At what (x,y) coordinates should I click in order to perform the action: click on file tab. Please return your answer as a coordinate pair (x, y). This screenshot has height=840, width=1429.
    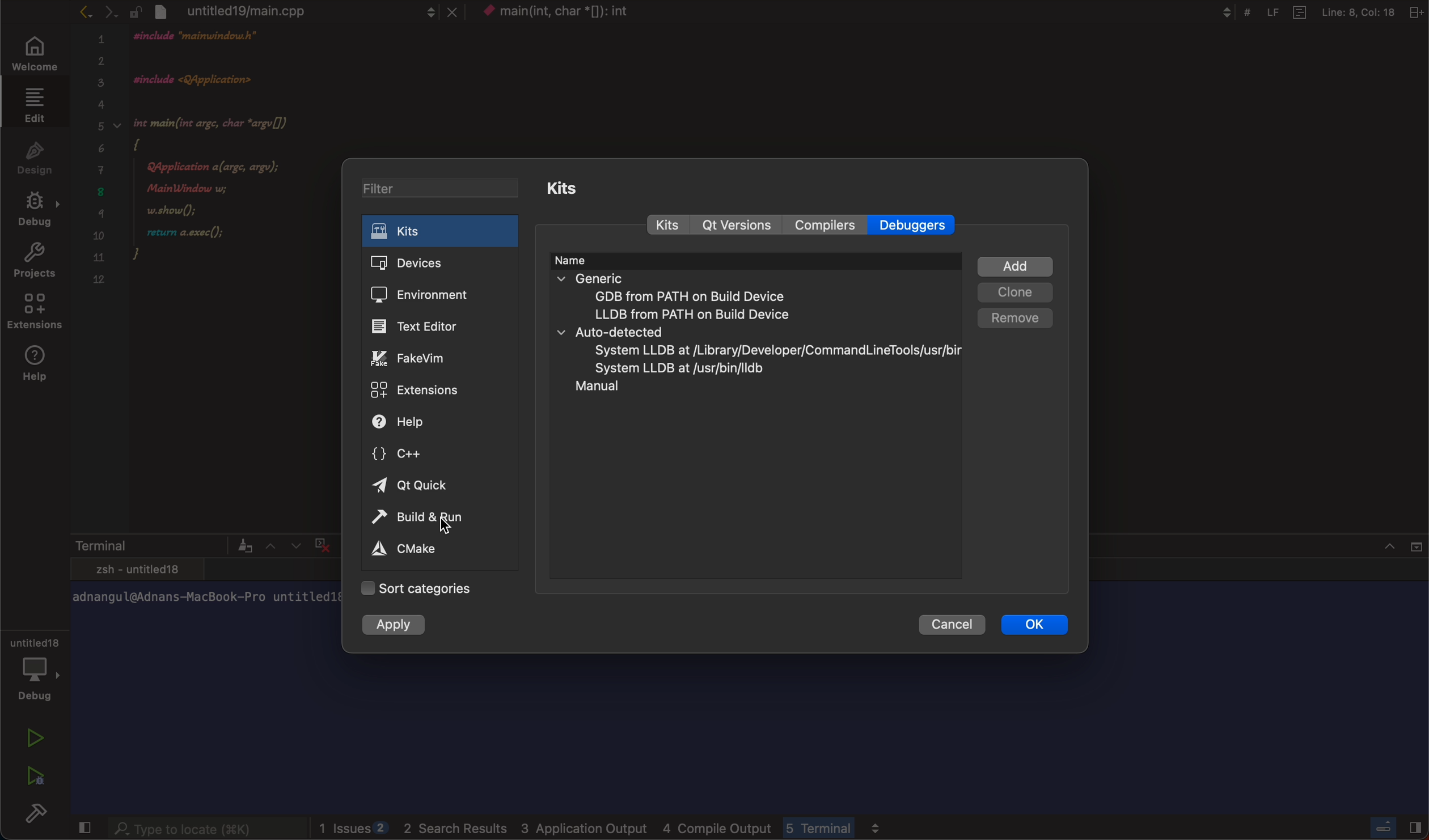
    Looking at the image, I should click on (306, 11).